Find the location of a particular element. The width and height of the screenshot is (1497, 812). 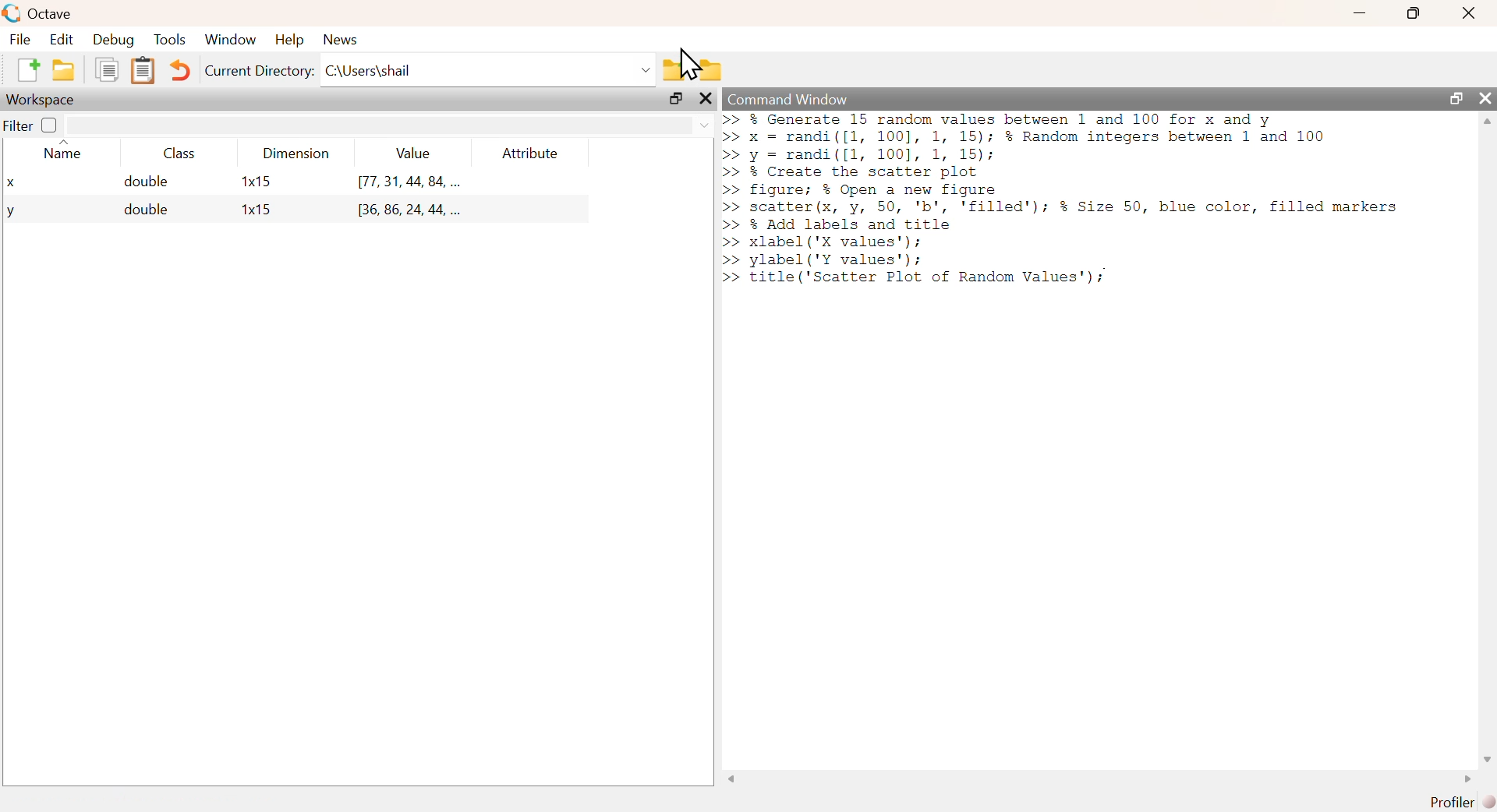

Current Directory: is located at coordinates (260, 70).